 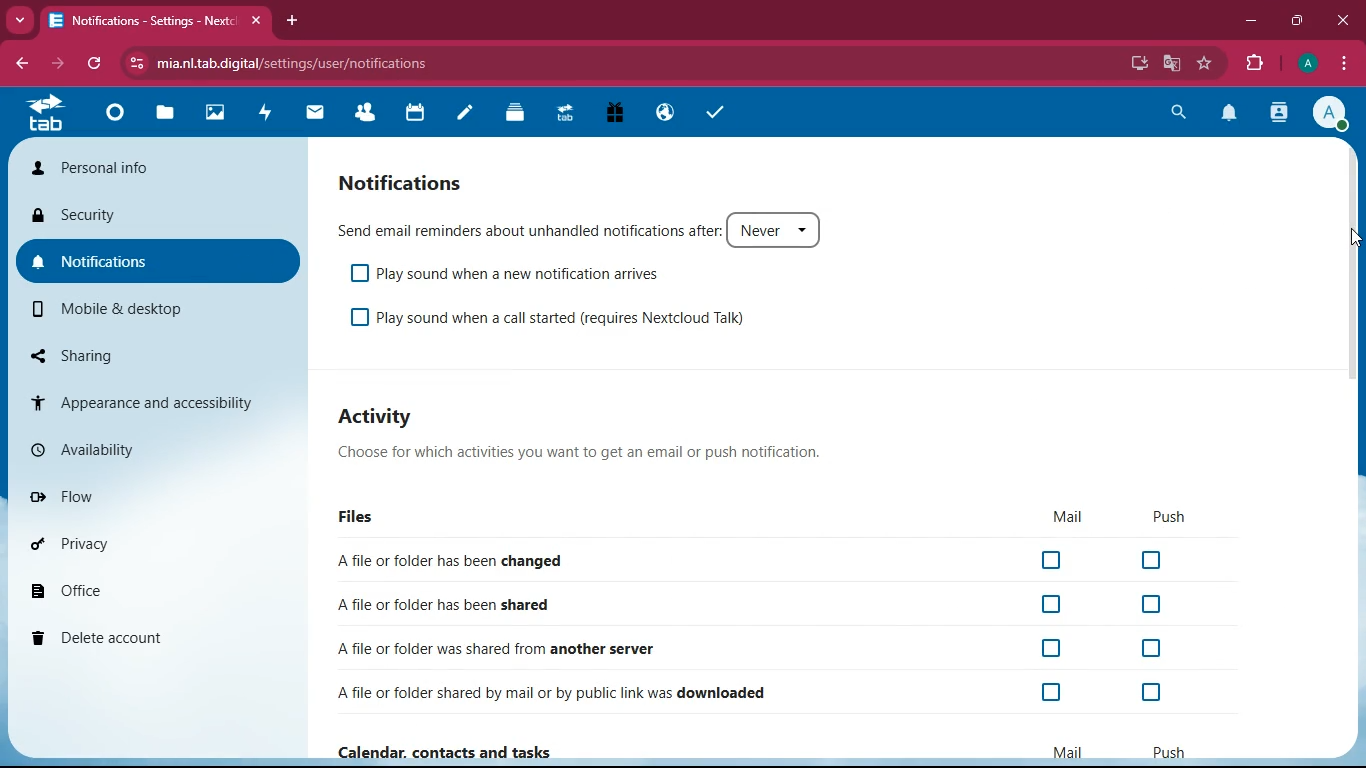 What do you see at coordinates (720, 115) in the screenshot?
I see `task` at bounding box center [720, 115].